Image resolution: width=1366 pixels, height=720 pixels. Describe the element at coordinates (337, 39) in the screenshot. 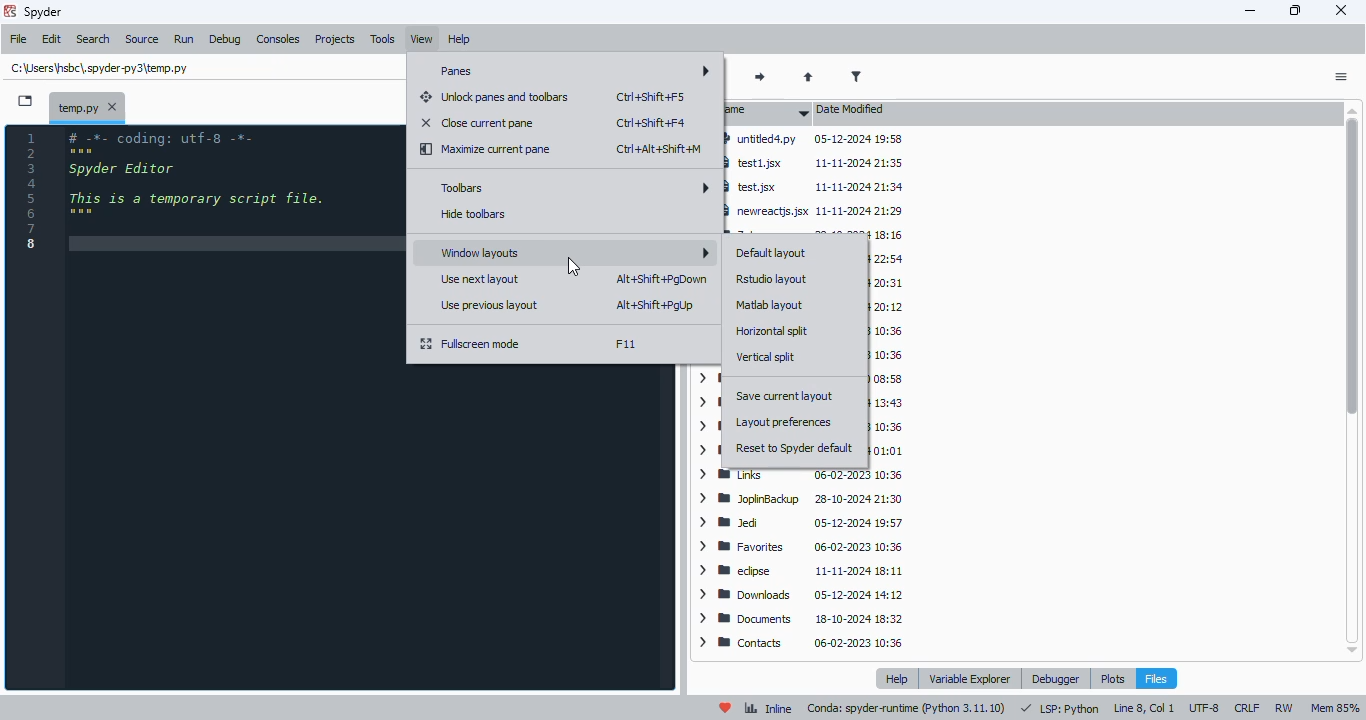

I see `projects` at that location.